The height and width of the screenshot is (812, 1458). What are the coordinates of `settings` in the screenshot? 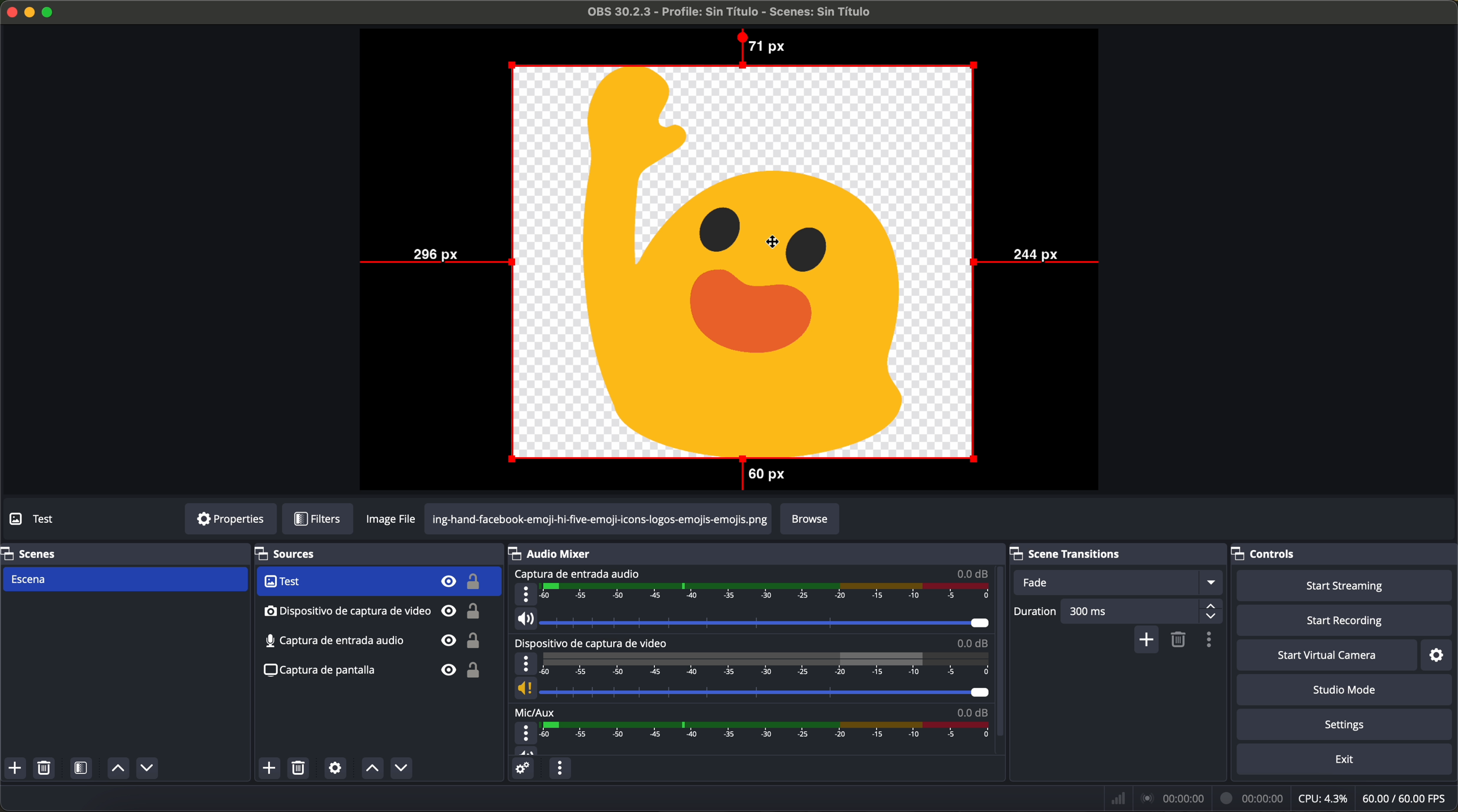 It's located at (1442, 654).